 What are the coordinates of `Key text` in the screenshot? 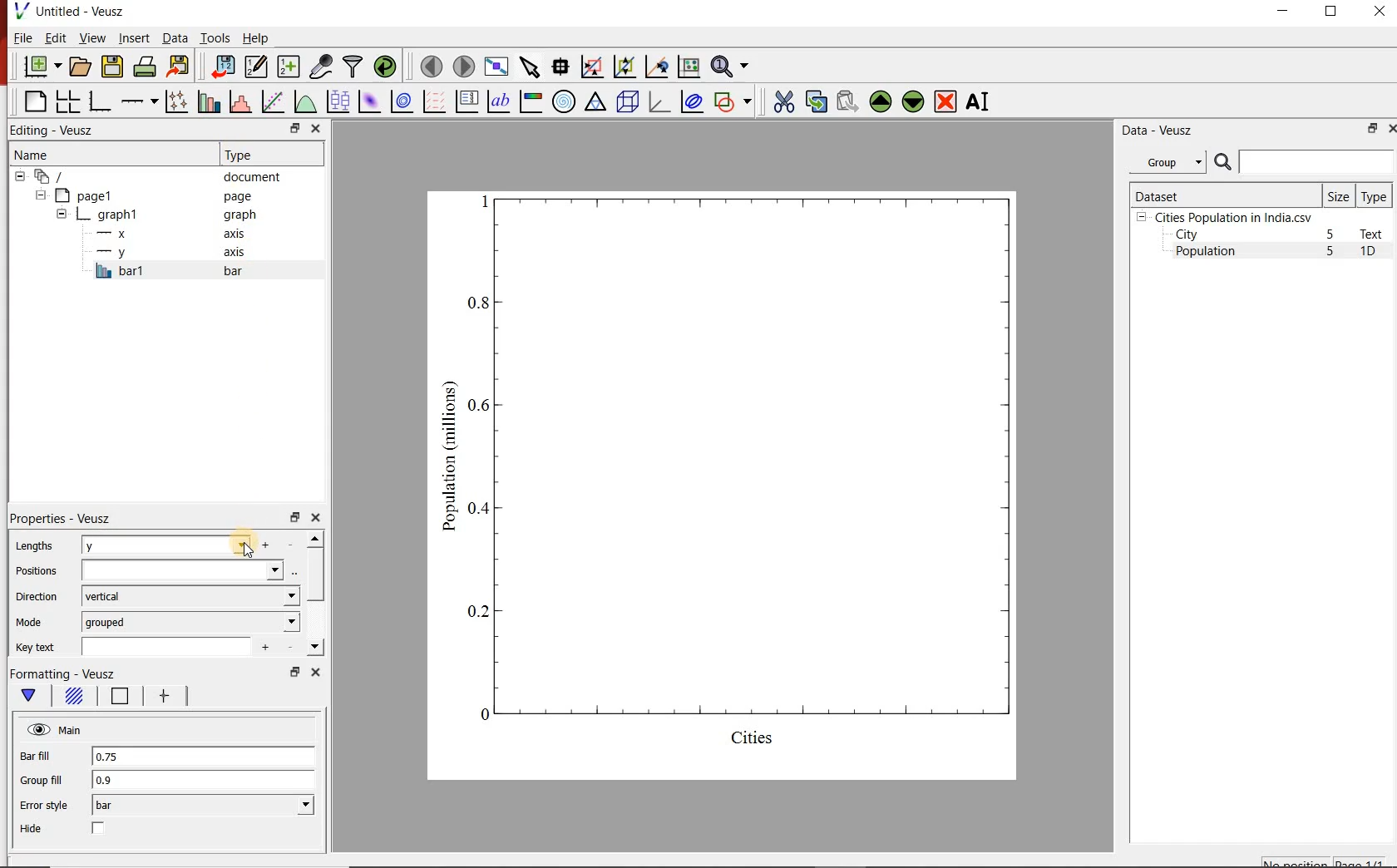 It's located at (38, 648).